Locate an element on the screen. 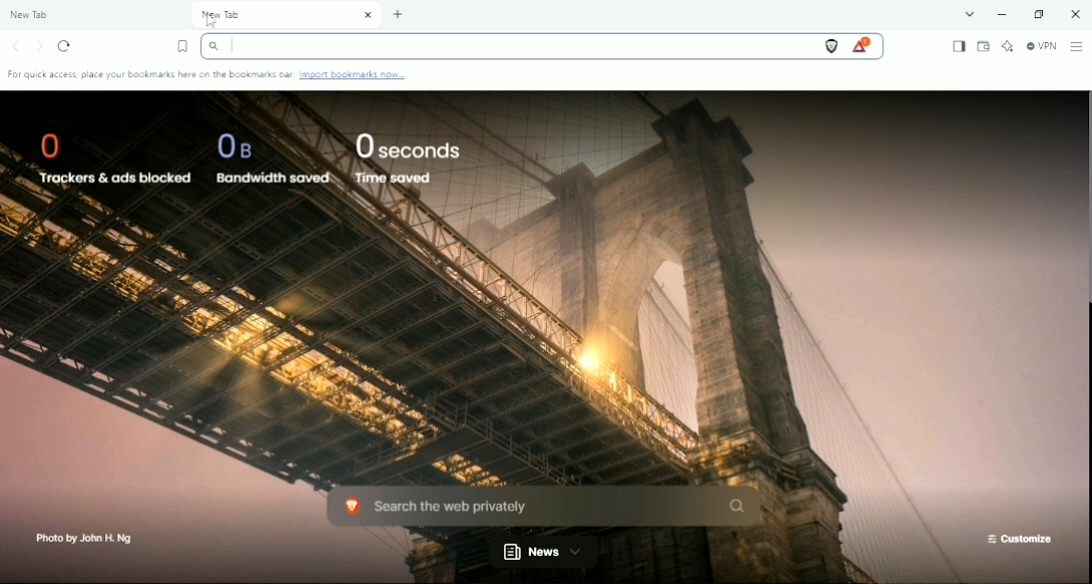  Search bar is located at coordinates (506, 47).